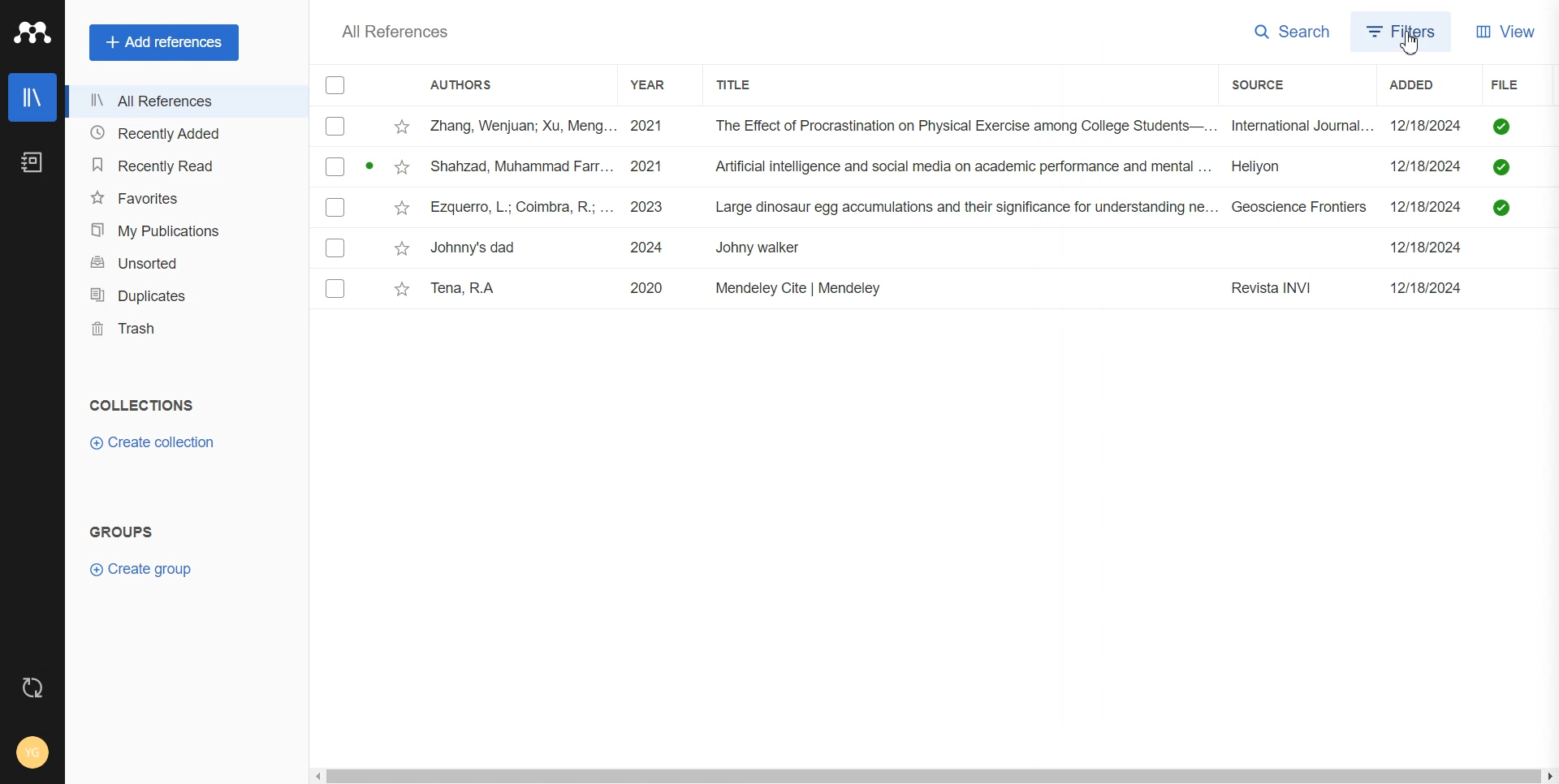  What do you see at coordinates (919, 126) in the screenshot?
I see `File` at bounding box center [919, 126].